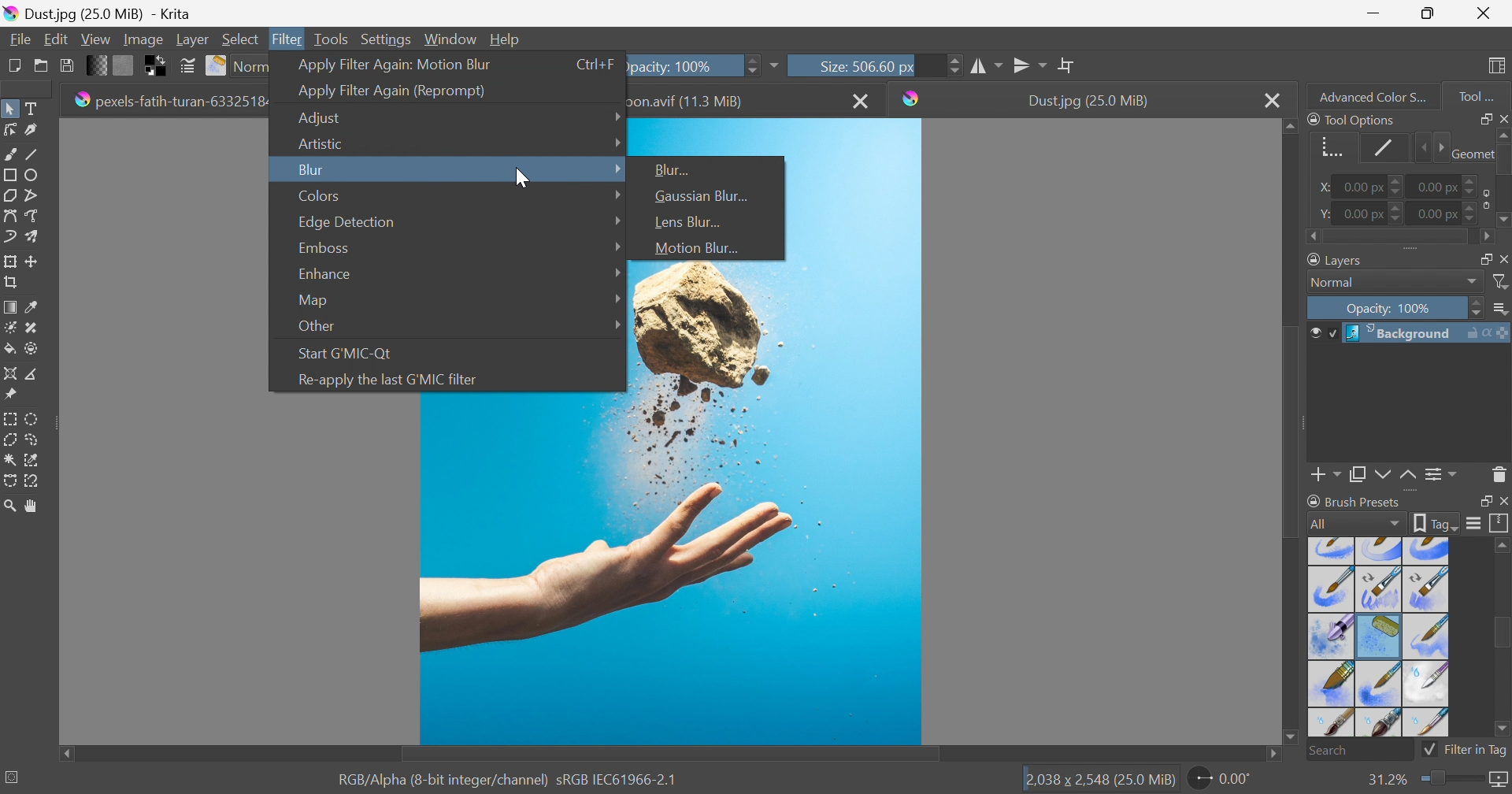  What do you see at coordinates (1503, 502) in the screenshot?
I see `Close` at bounding box center [1503, 502].